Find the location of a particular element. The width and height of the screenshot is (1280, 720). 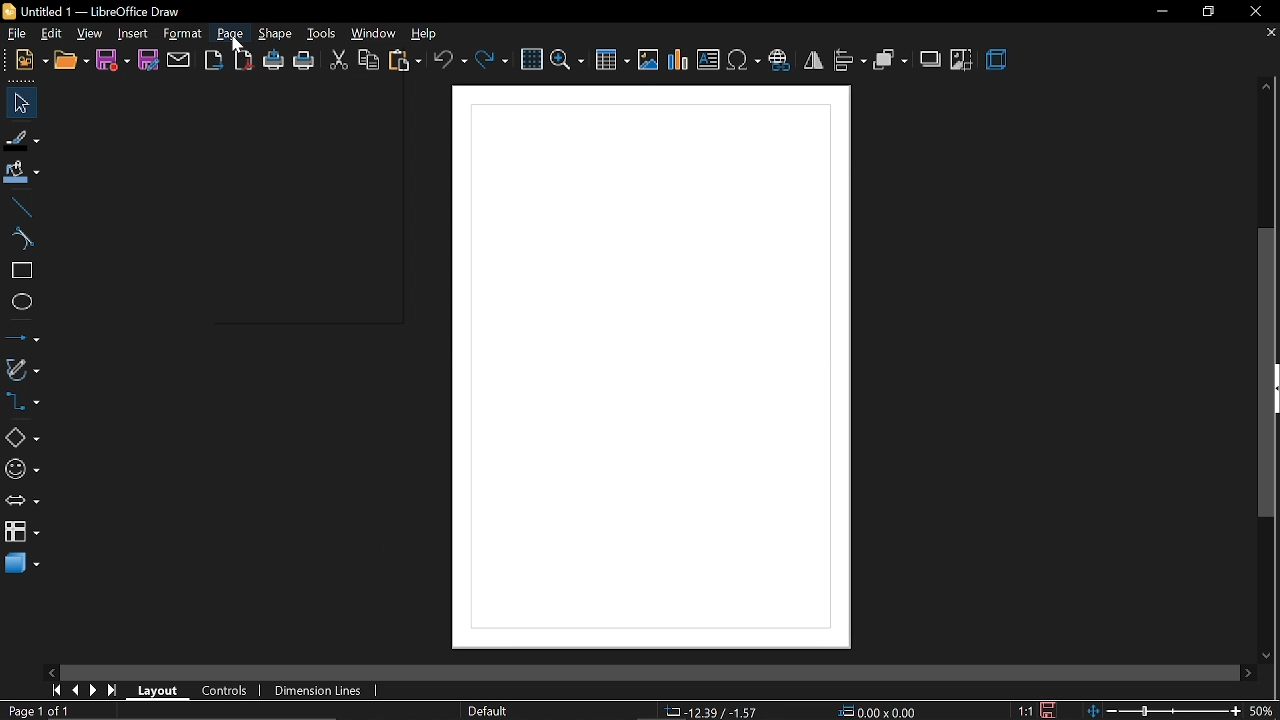

rectangle is located at coordinates (22, 273).